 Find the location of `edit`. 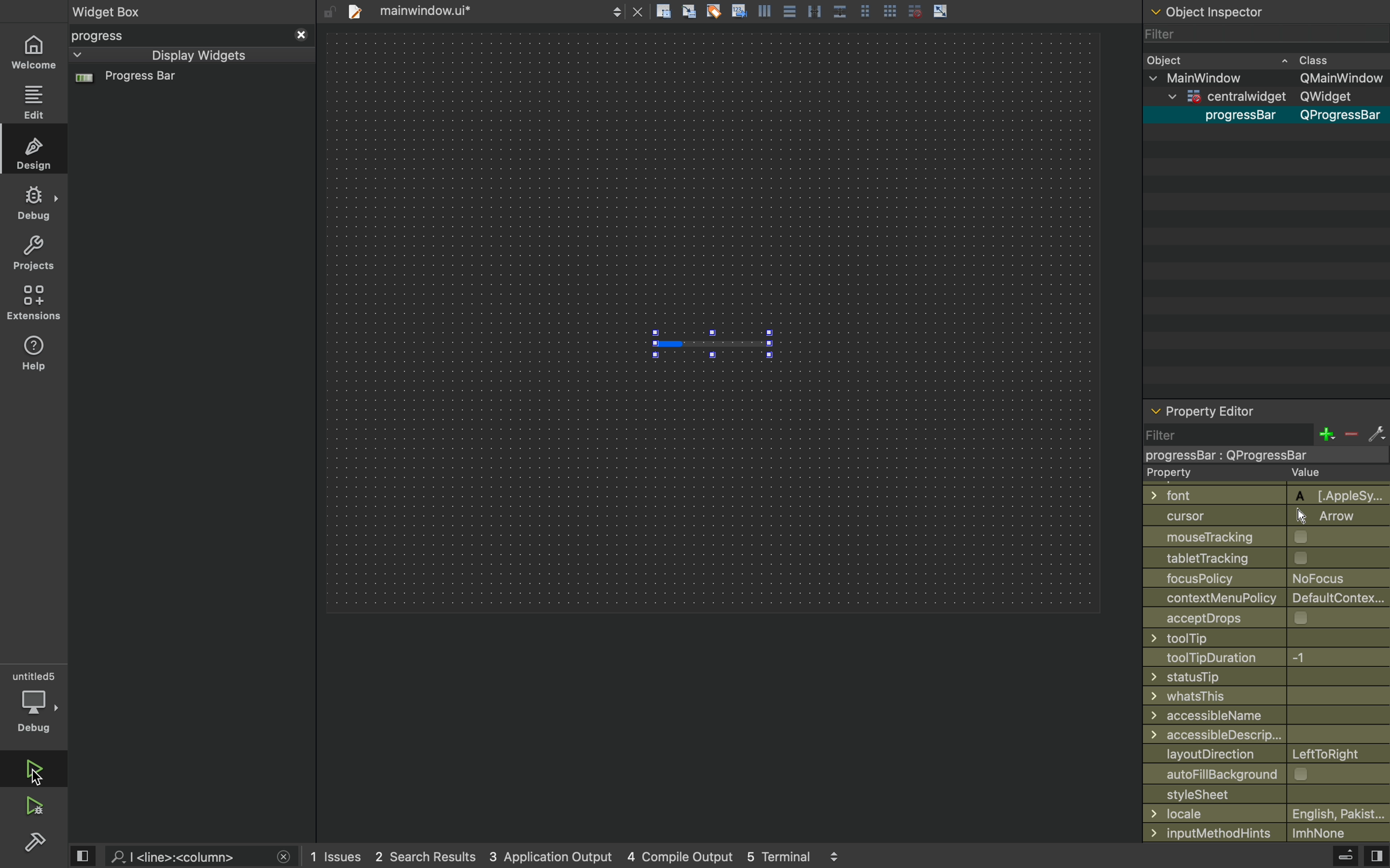

edit is located at coordinates (34, 102).